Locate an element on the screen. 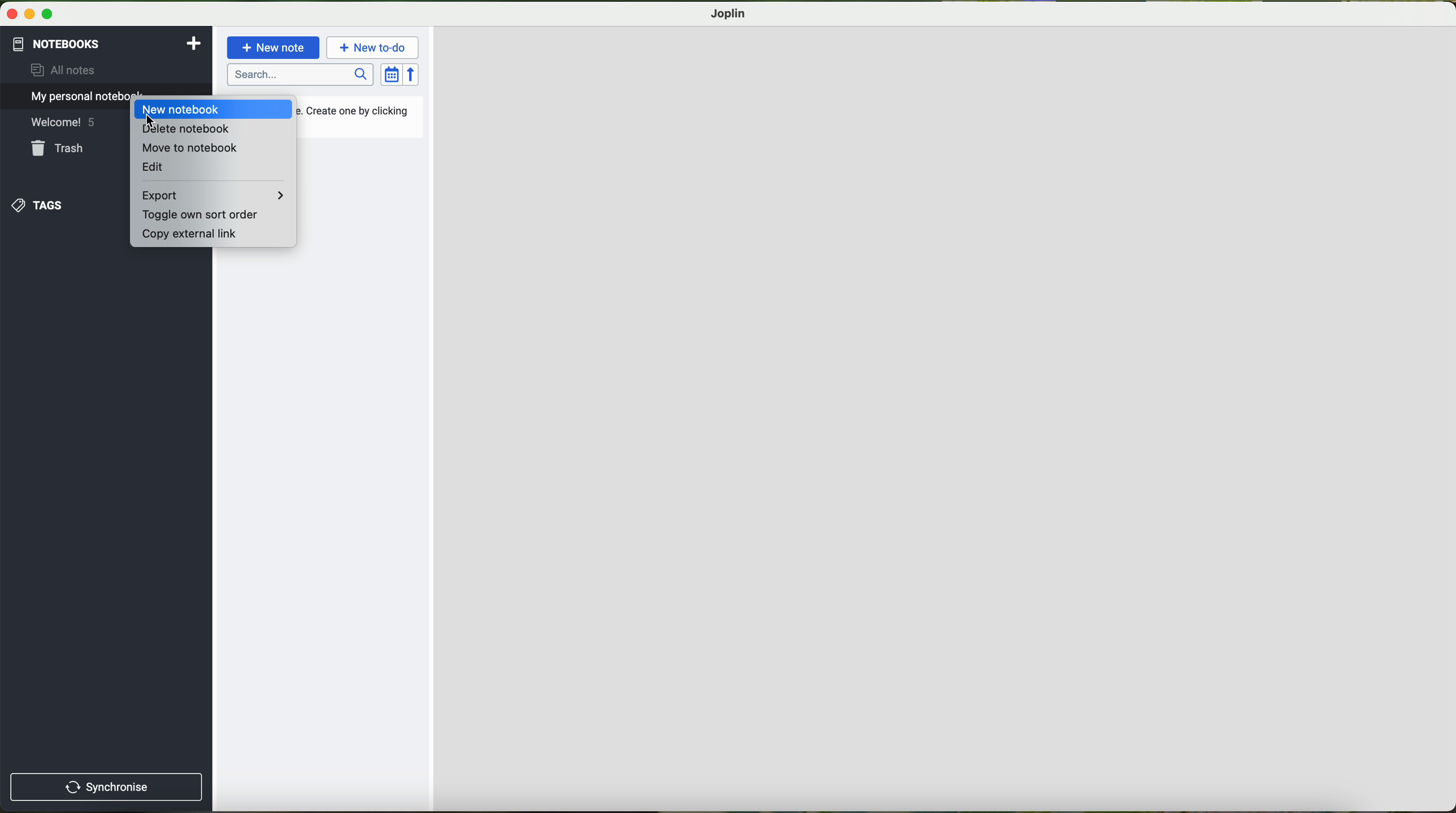 The image size is (1456, 813). pointer on the notebooks button is located at coordinates (75, 44).